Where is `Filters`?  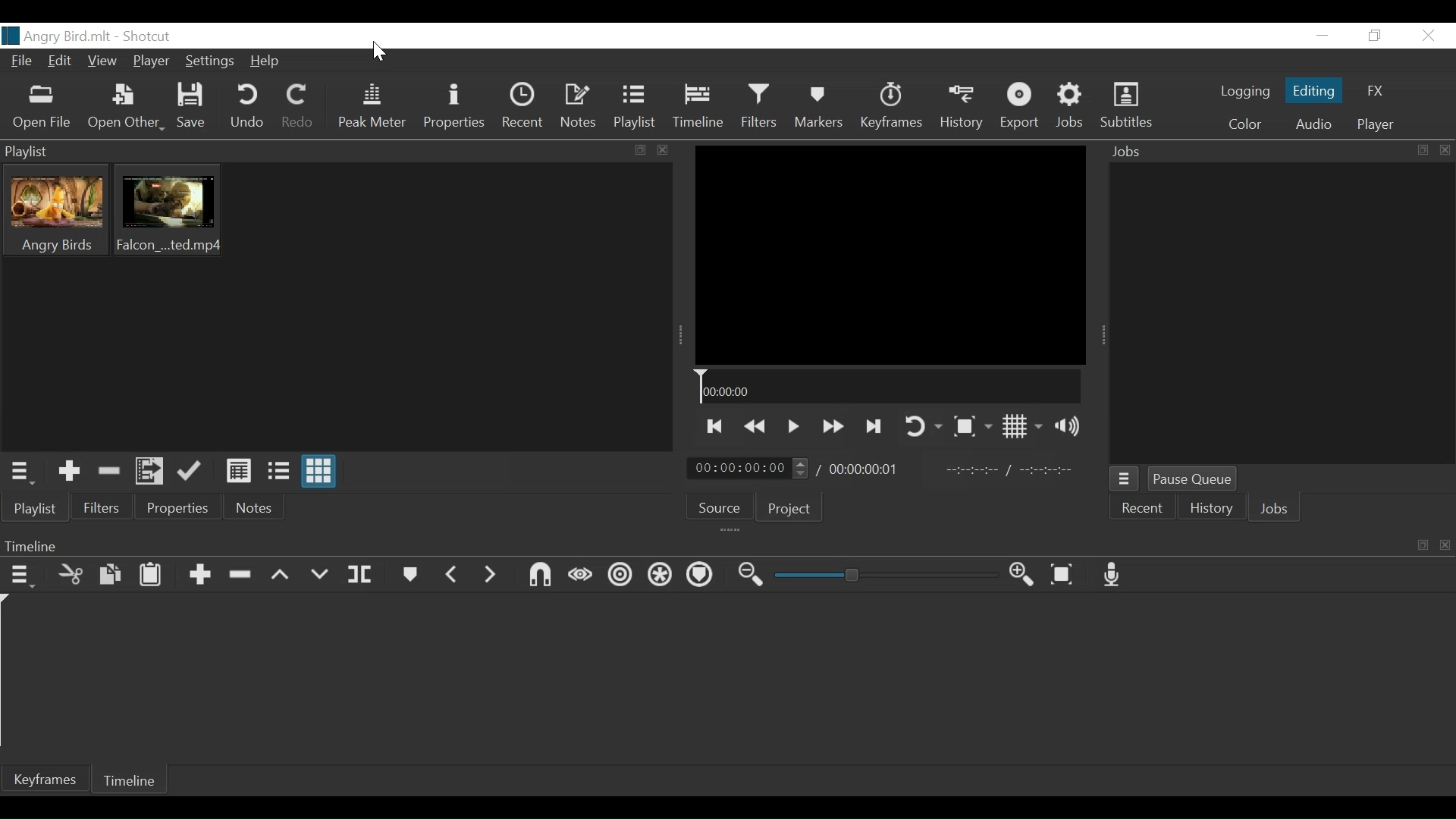
Filters is located at coordinates (102, 509).